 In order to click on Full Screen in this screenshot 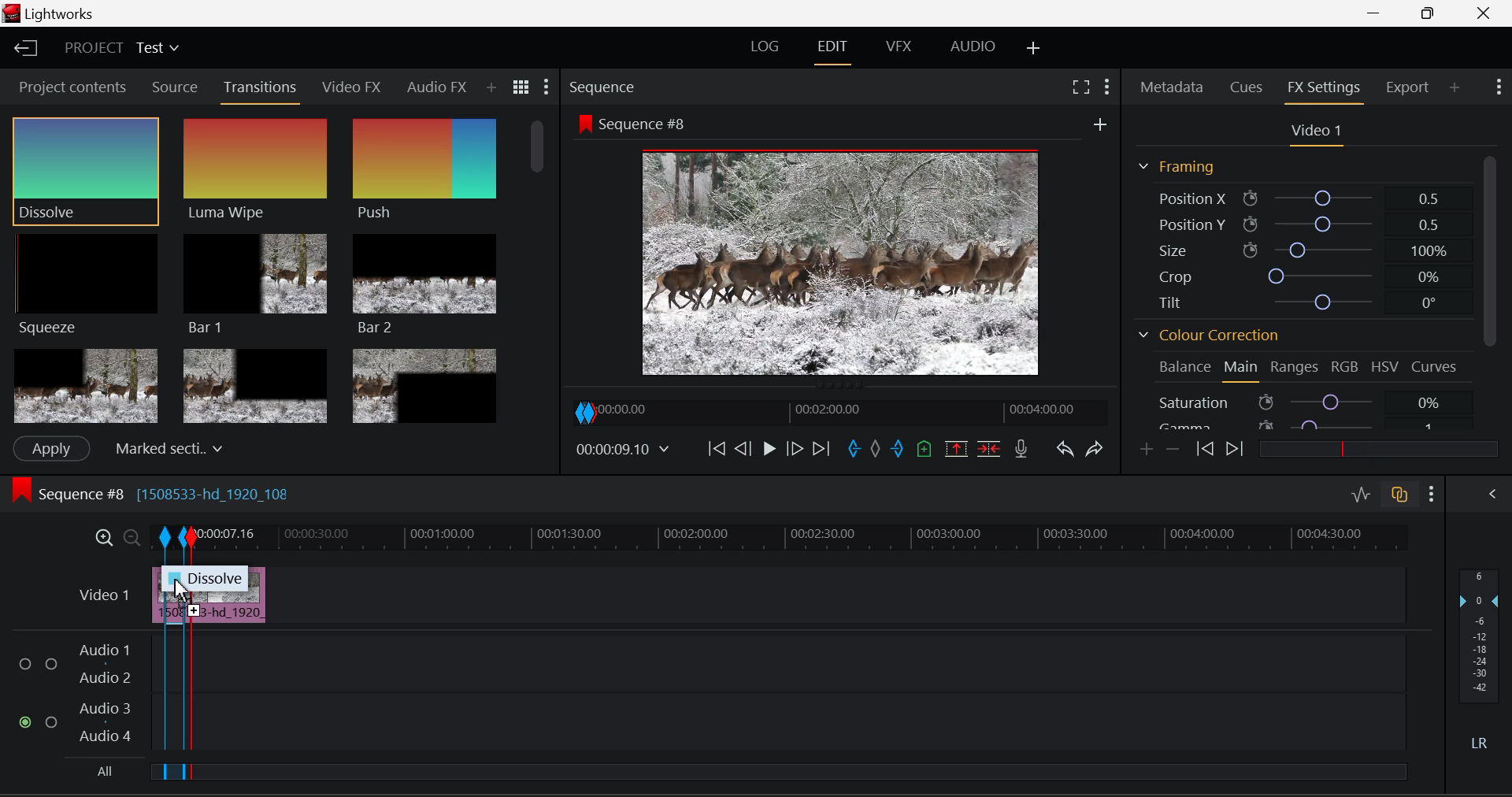, I will do `click(1083, 87)`.